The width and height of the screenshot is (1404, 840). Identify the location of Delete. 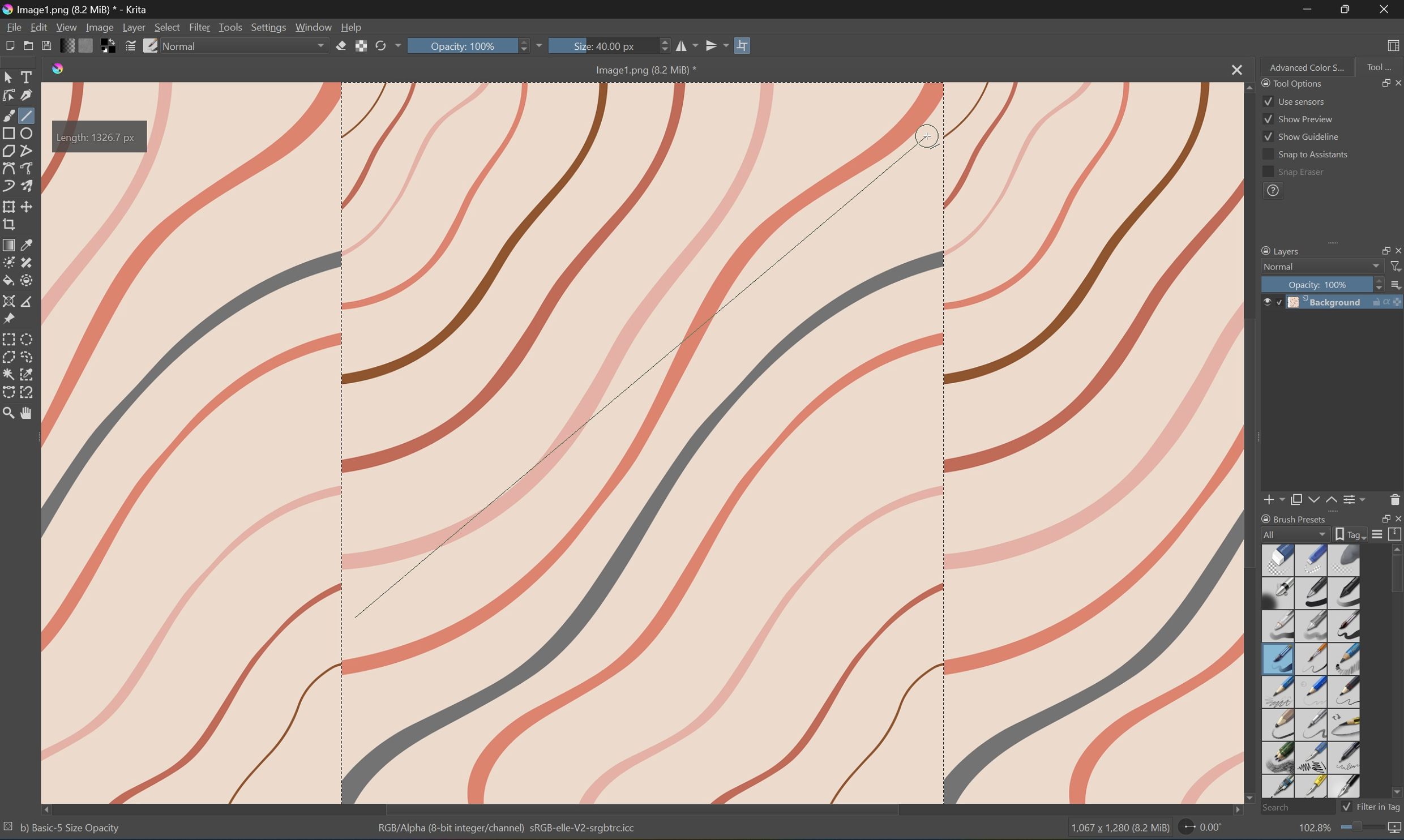
(1395, 499).